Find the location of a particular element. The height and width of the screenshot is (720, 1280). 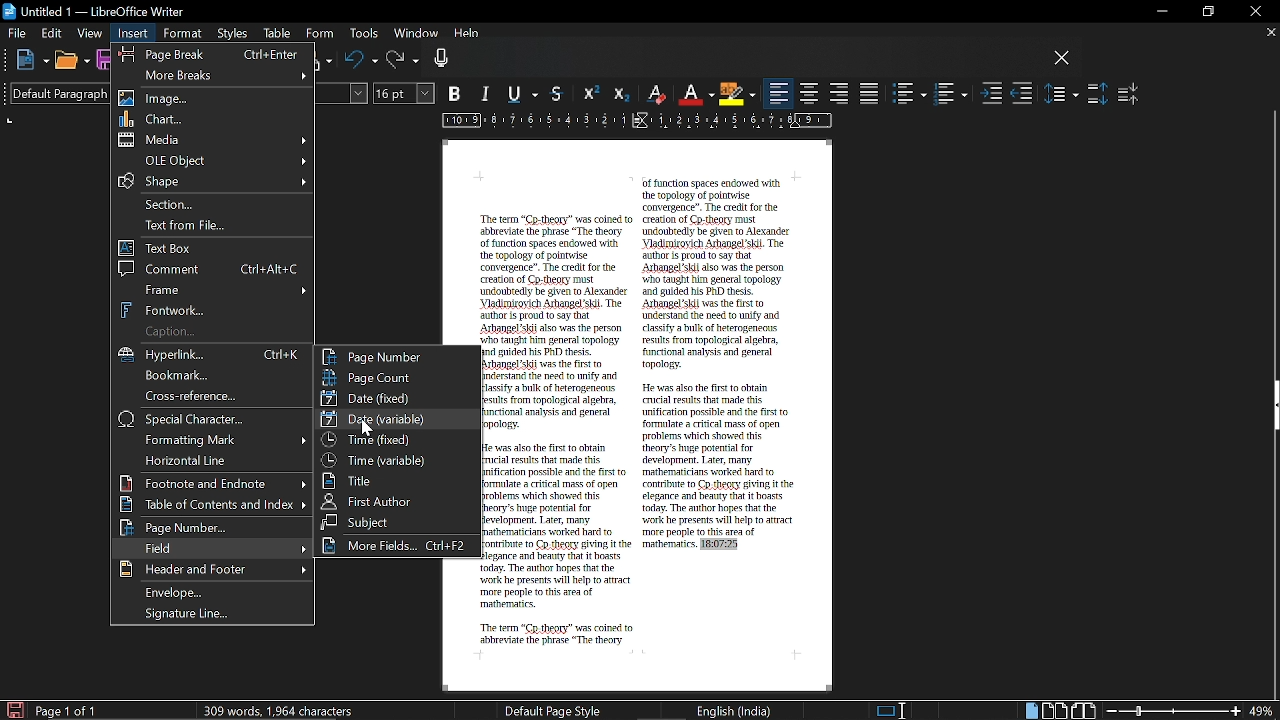

Default page style is located at coordinates (553, 710).